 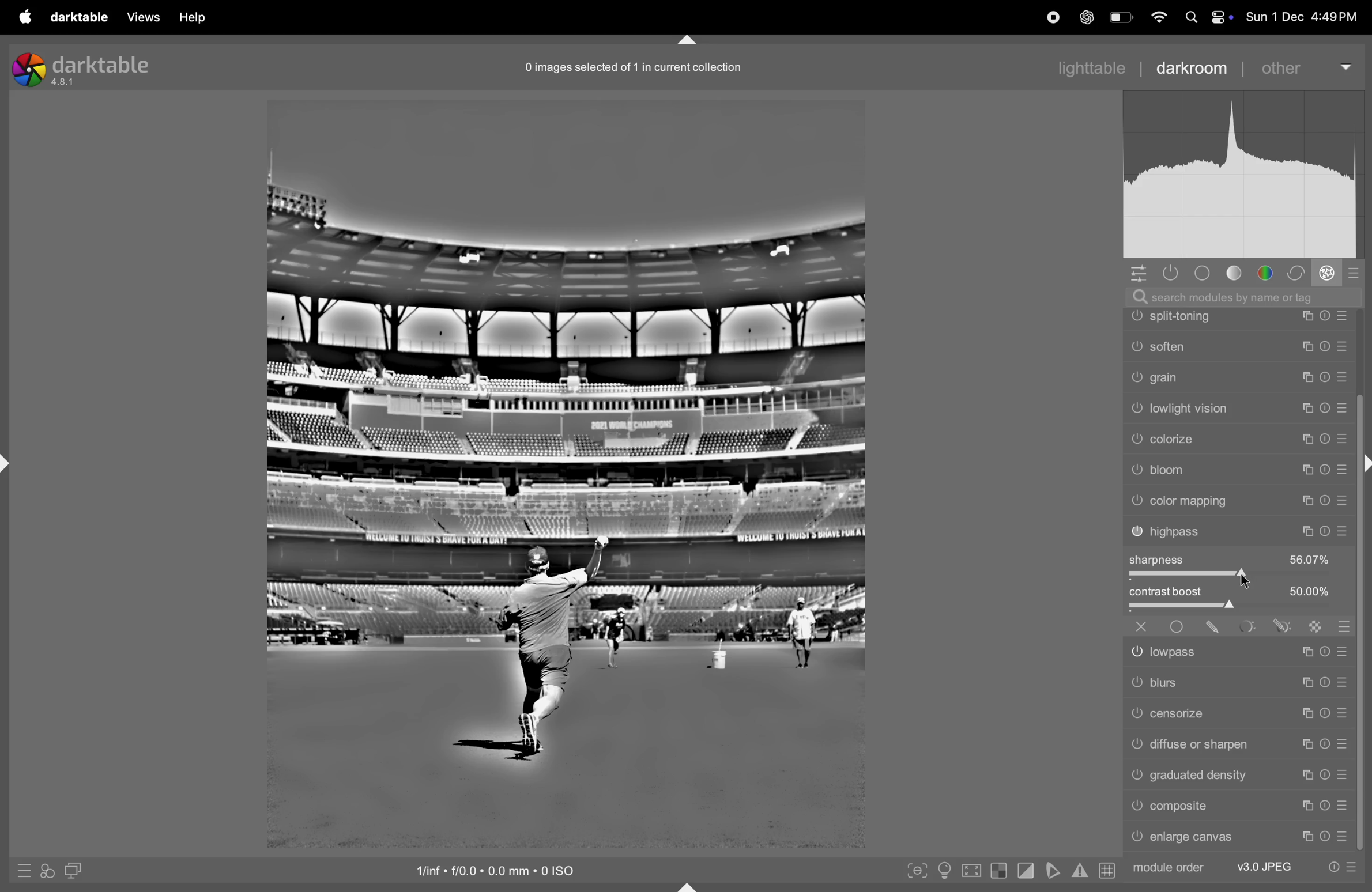 What do you see at coordinates (1327, 272) in the screenshot?
I see `effect` at bounding box center [1327, 272].